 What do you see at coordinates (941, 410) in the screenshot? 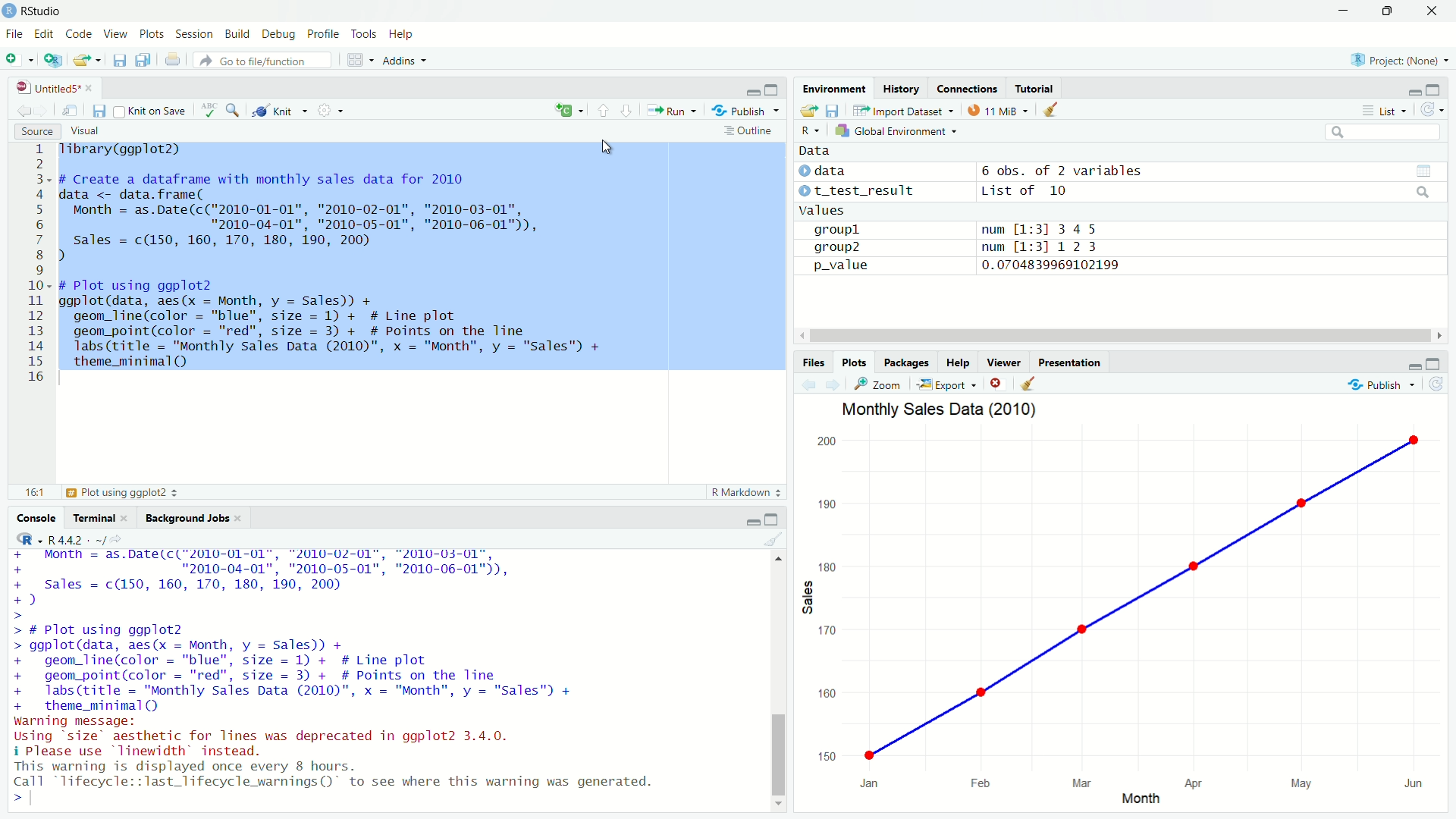
I see `Monthly Sales Data (2010)` at bounding box center [941, 410].